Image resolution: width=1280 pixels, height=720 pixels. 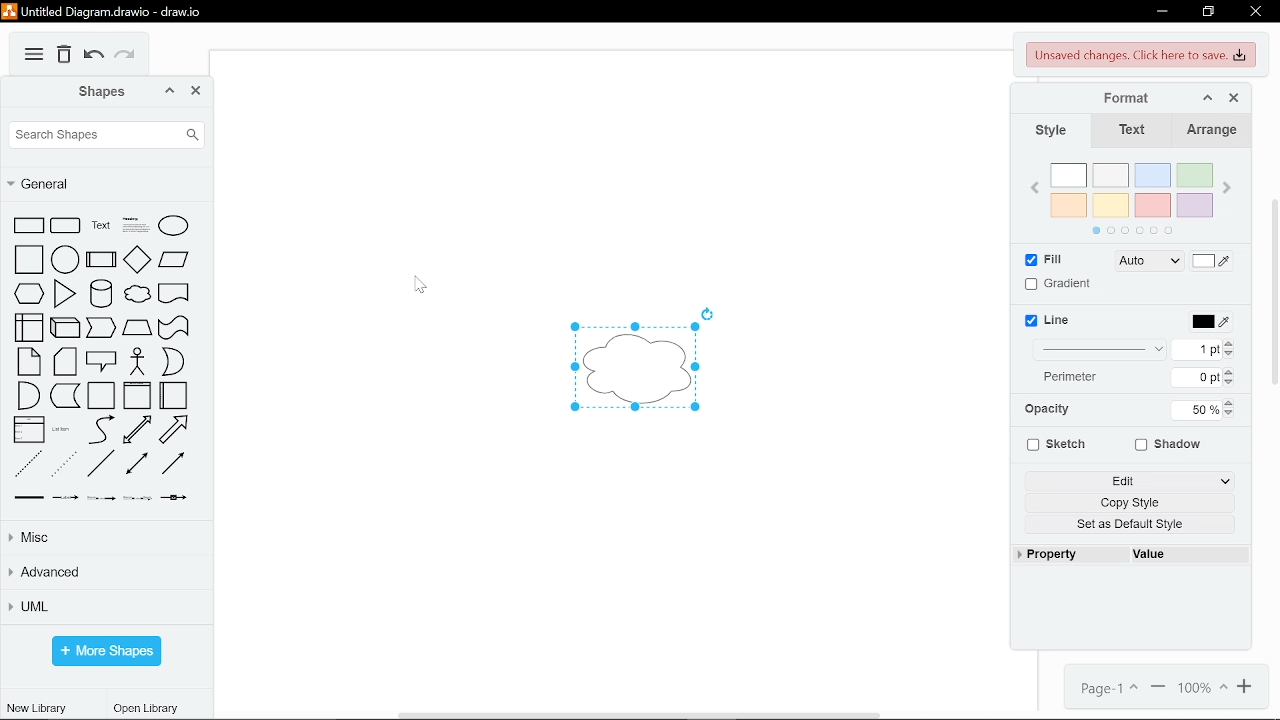 What do you see at coordinates (103, 571) in the screenshot?
I see `advanced` at bounding box center [103, 571].